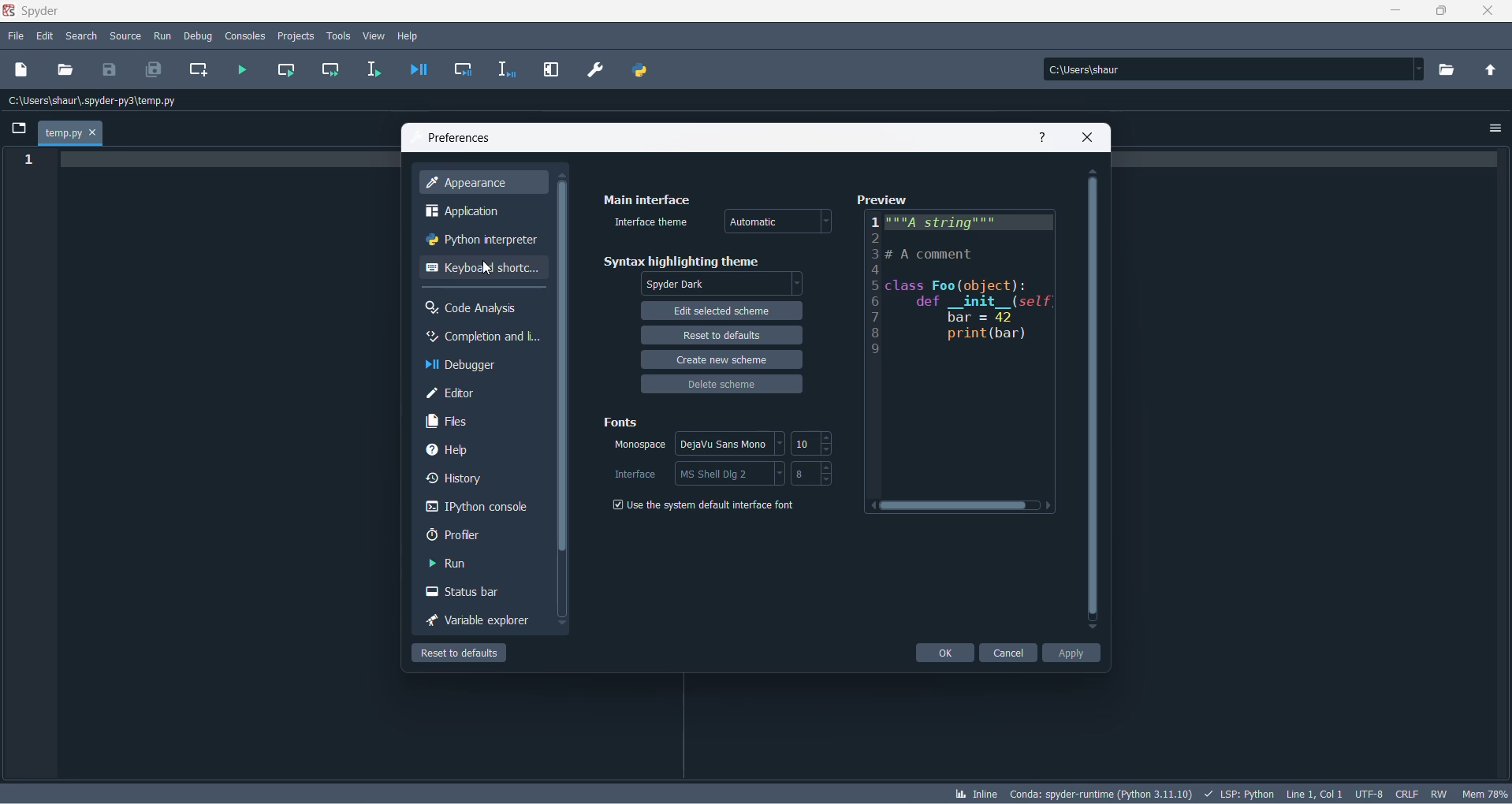 Image resolution: width=1512 pixels, height=804 pixels. Describe the element at coordinates (464, 655) in the screenshot. I see `reset to default` at that location.